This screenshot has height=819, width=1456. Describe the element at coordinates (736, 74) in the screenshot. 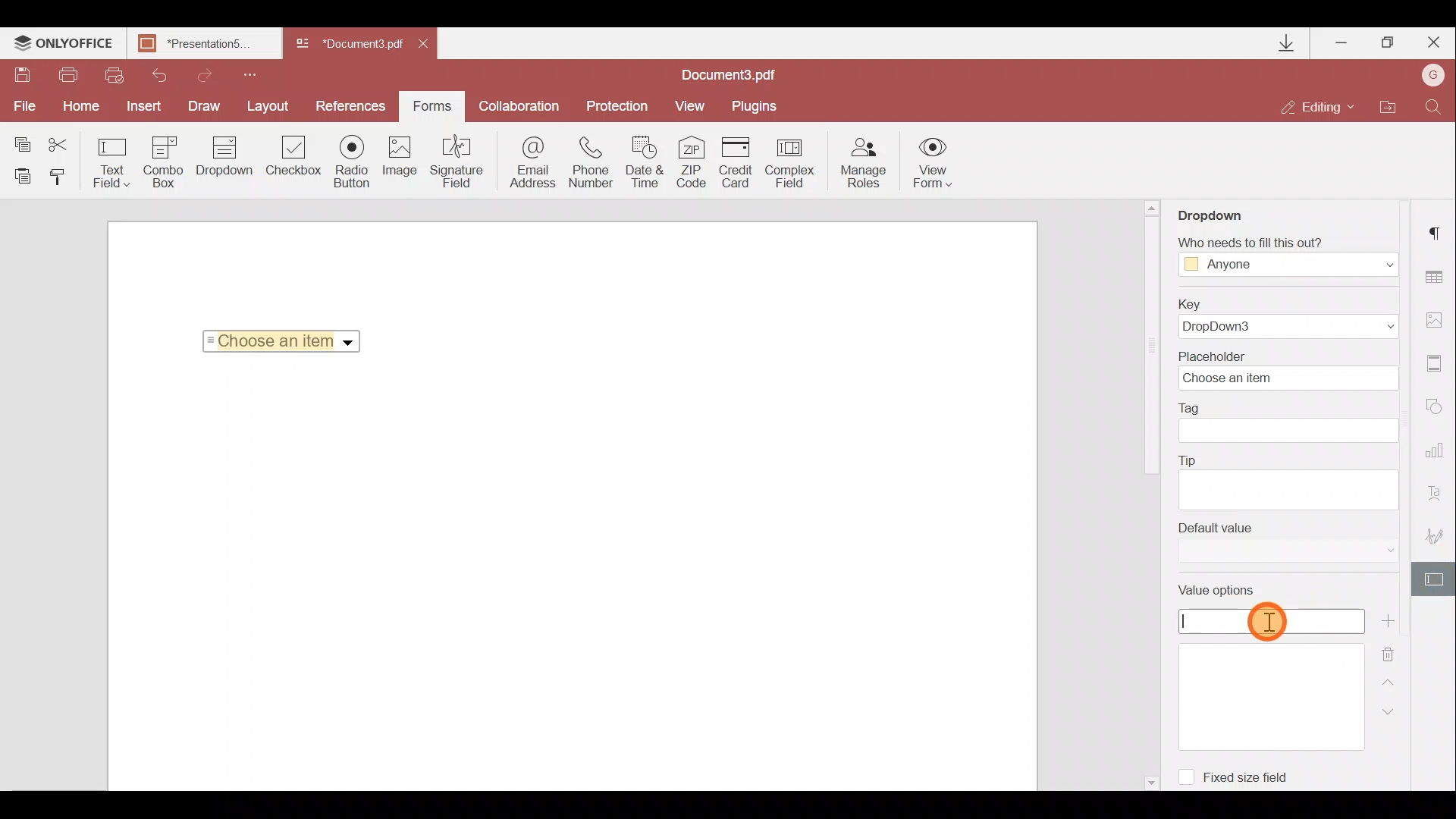

I see `Document name` at that location.